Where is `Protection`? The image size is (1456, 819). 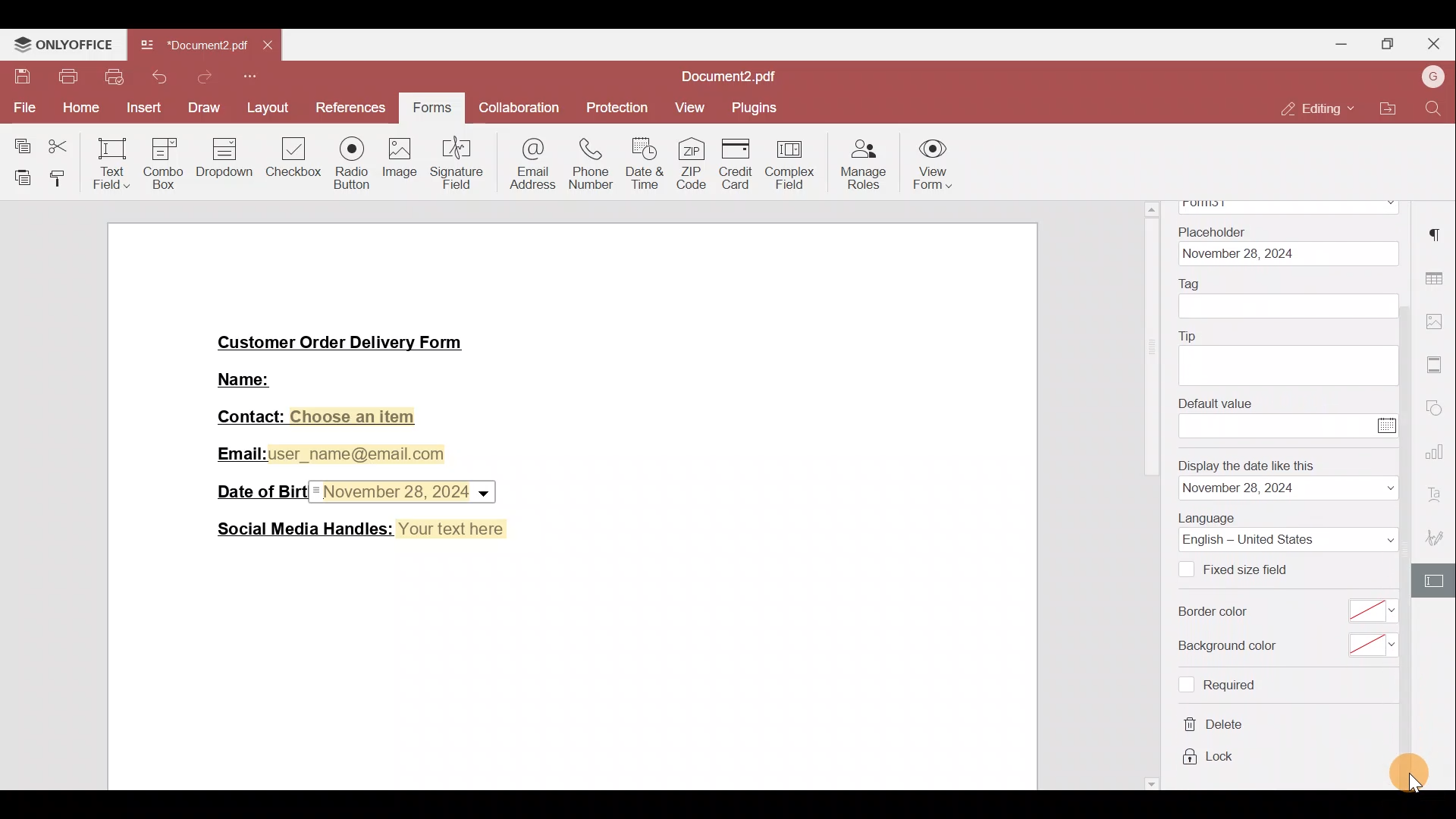
Protection is located at coordinates (622, 108).